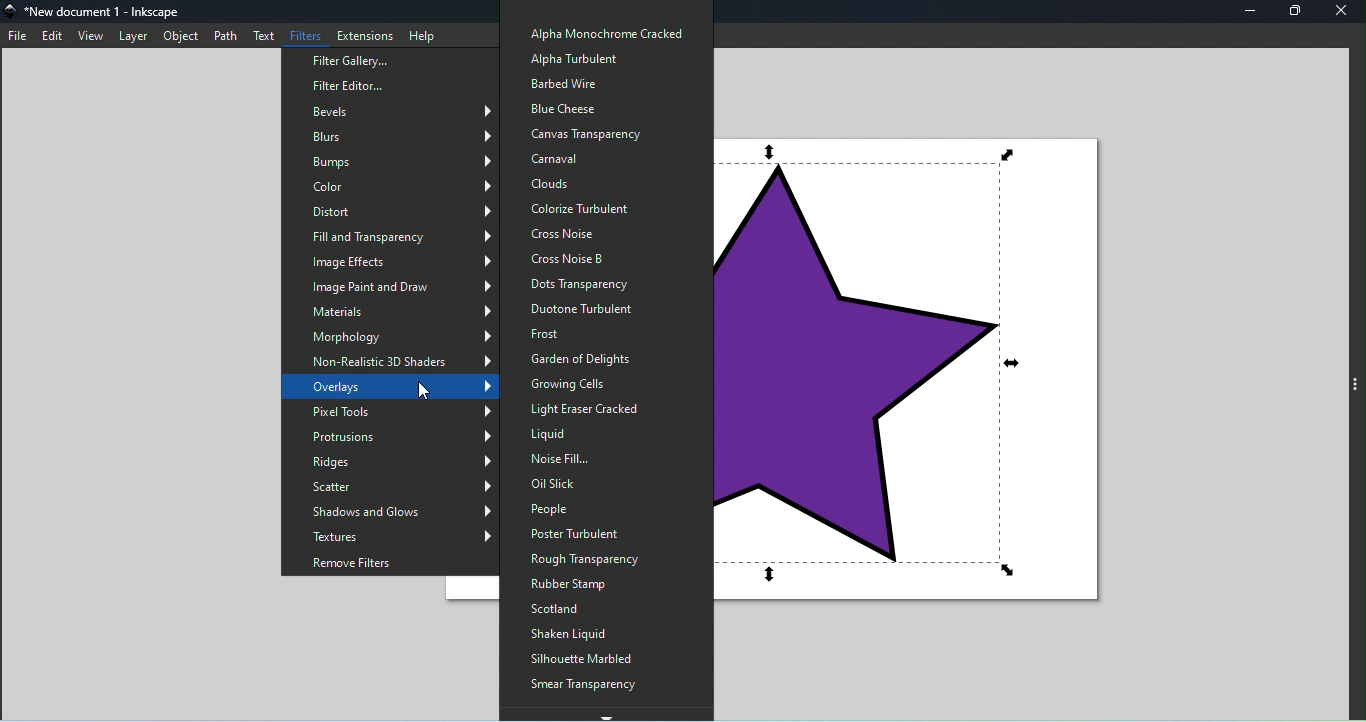 The width and height of the screenshot is (1366, 722). Describe the element at coordinates (588, 557) in the screenshot. I see `Rough transparency` at that location.